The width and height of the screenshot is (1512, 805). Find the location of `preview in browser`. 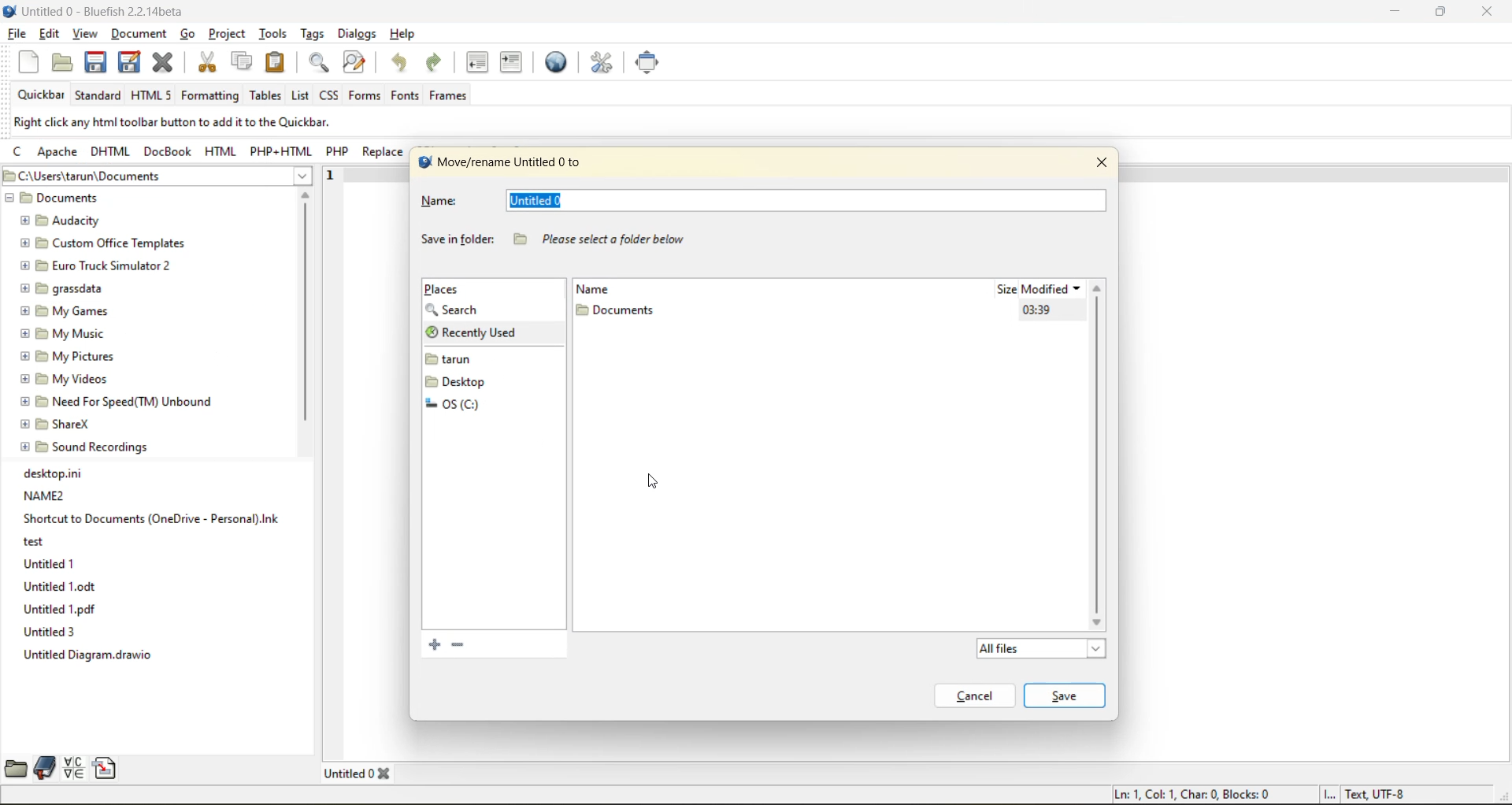

preview in browser is located at coordinates (556, 62).